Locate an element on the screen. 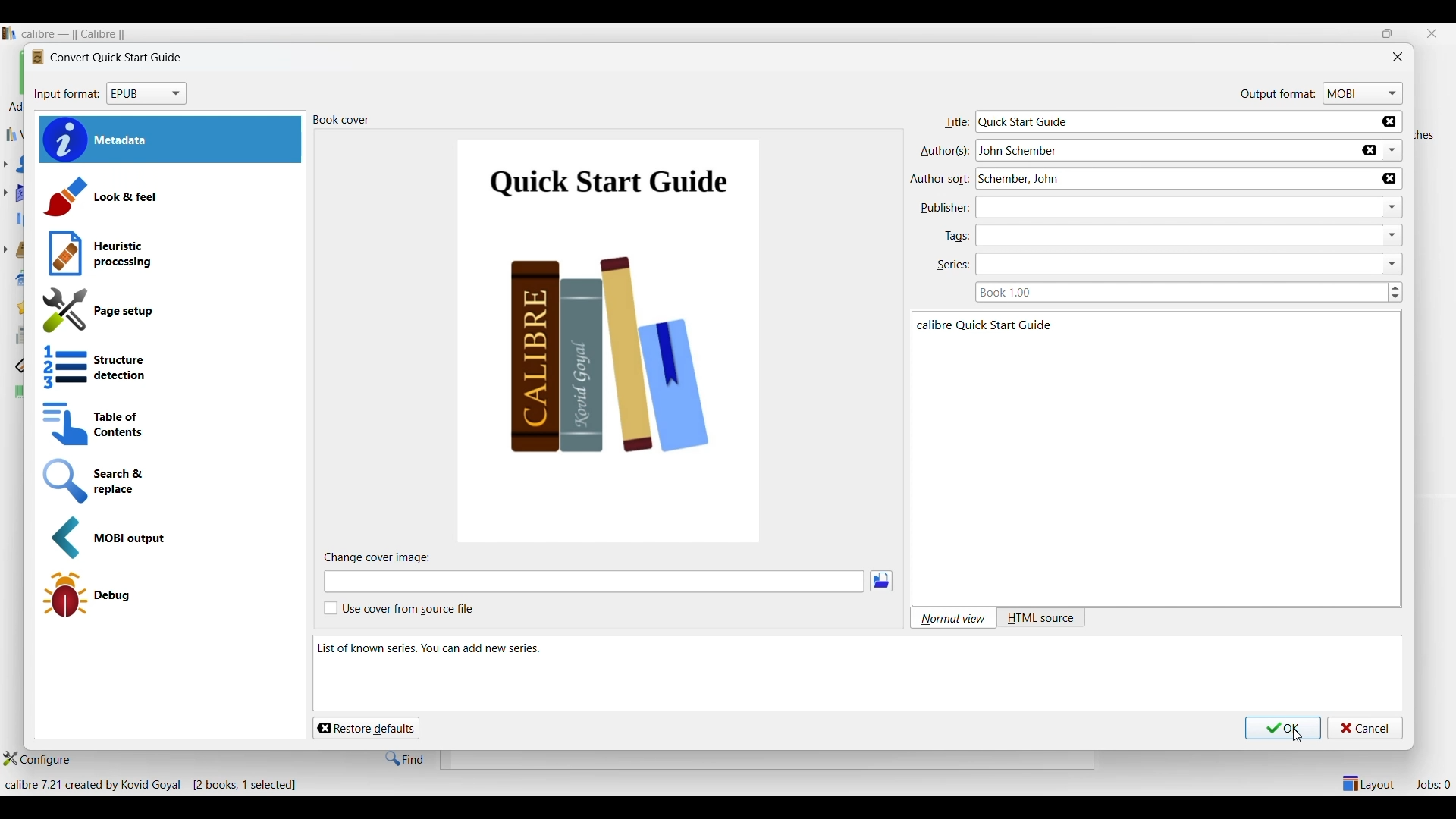 This screenshot has width=1456, height=819. series is located at coordinates (952, 267).